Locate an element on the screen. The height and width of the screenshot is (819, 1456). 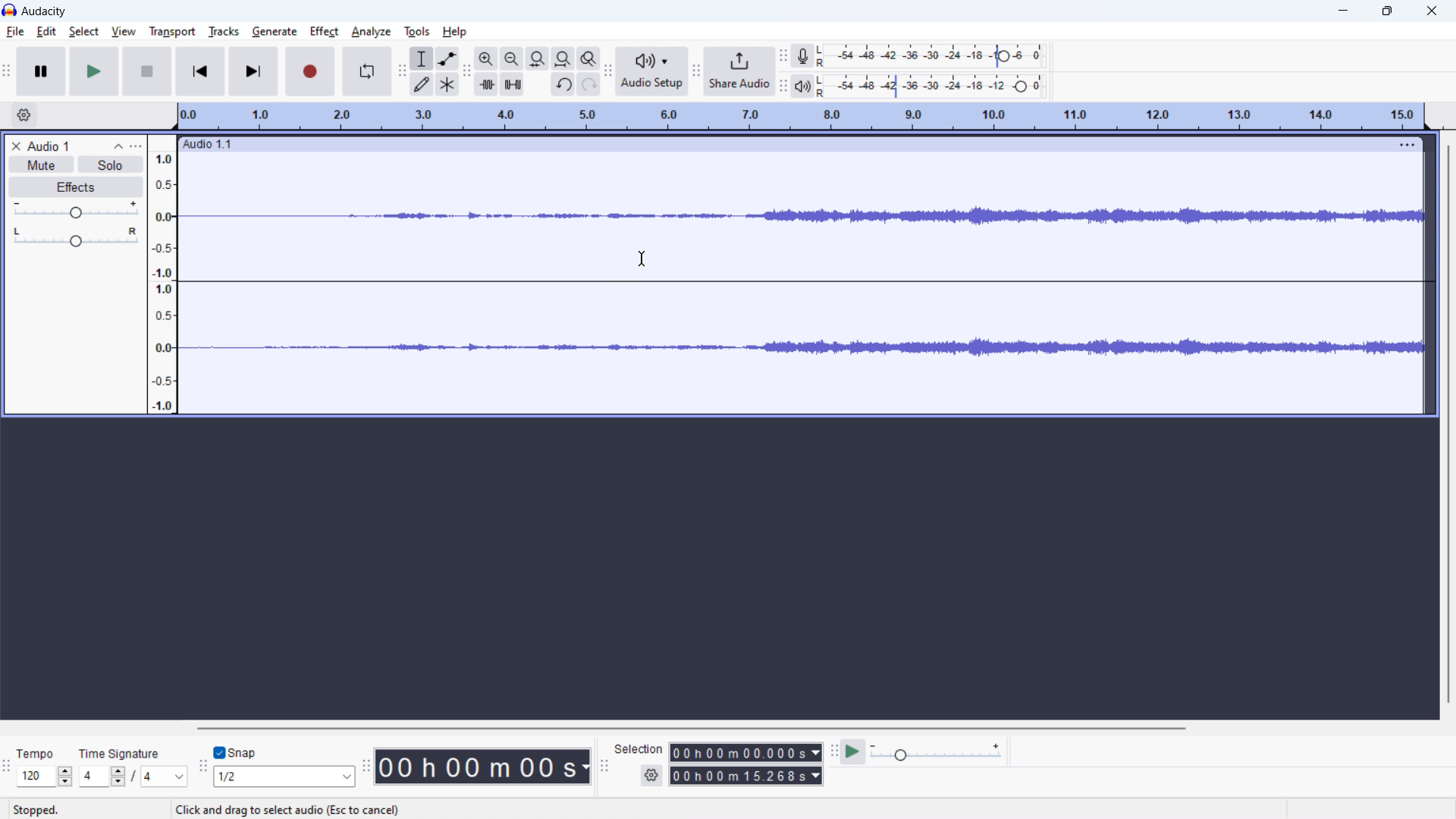
play is located at coordinates (95, 71).